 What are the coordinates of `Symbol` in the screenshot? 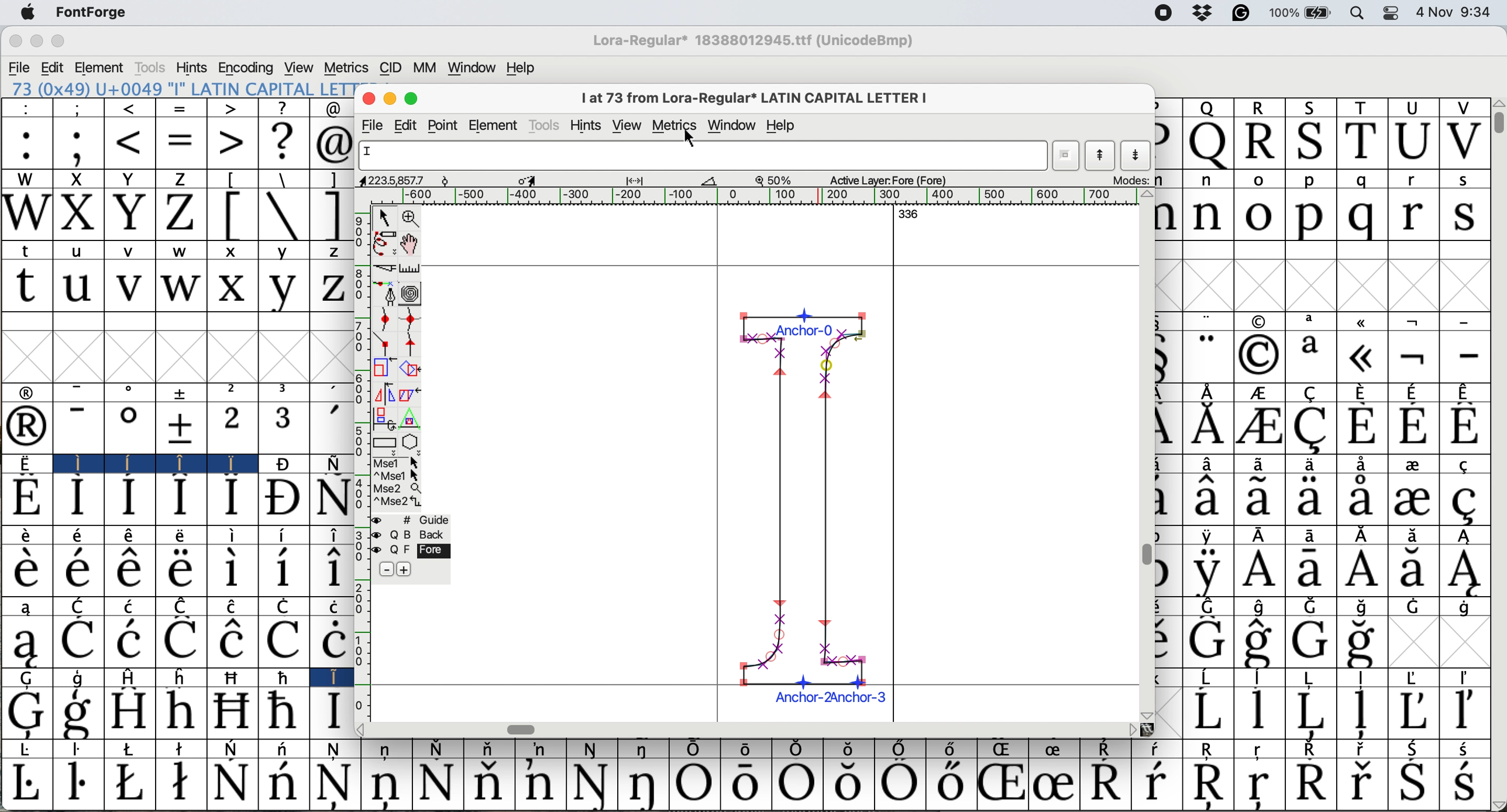 It's located at (25, 642).